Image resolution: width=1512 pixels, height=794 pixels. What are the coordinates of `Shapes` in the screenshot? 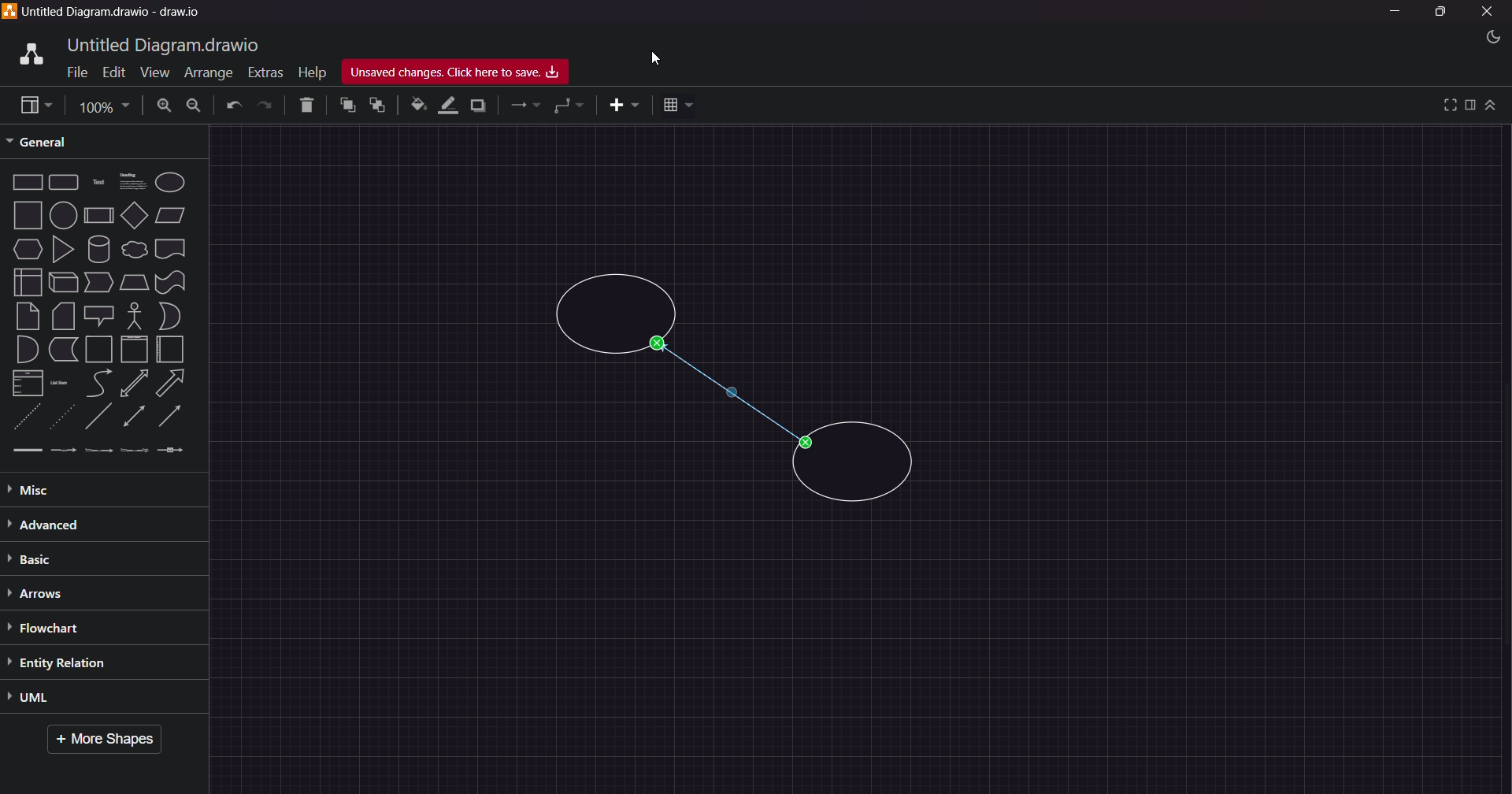 It's located at (100, 315).